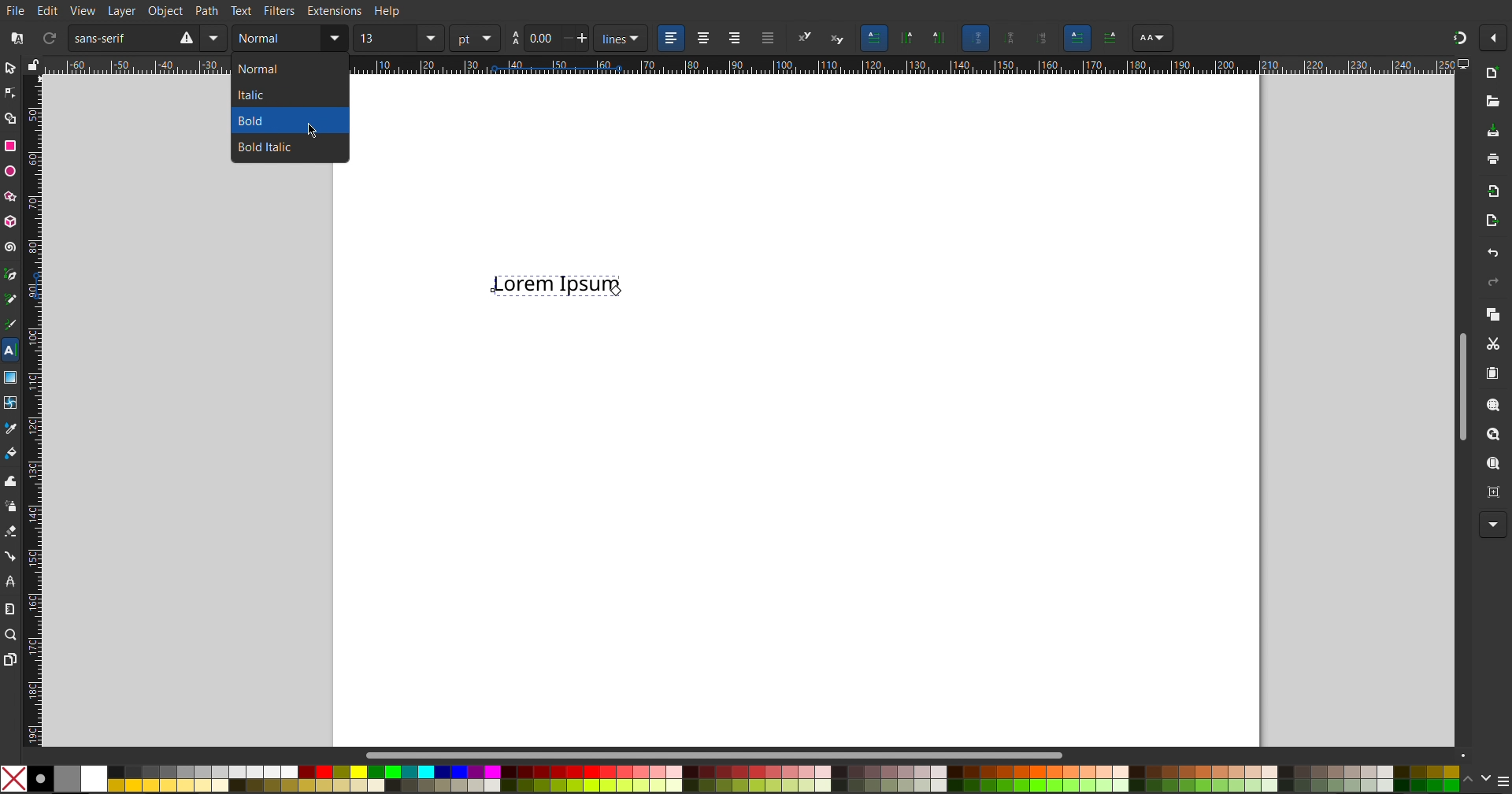  I want to click on Superscript, so click(805, 39).